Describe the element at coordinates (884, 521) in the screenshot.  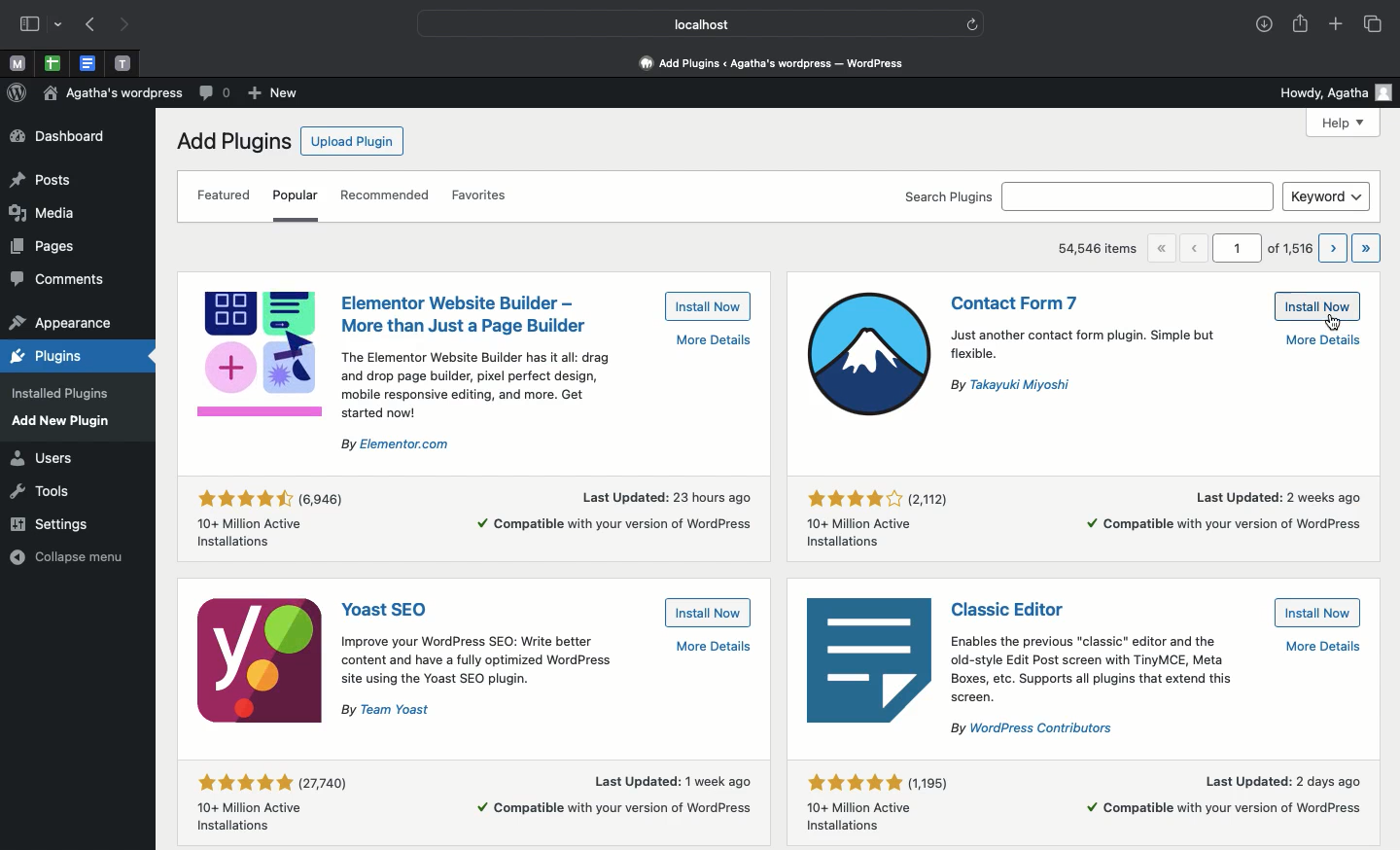
I see `Rating` at that location.